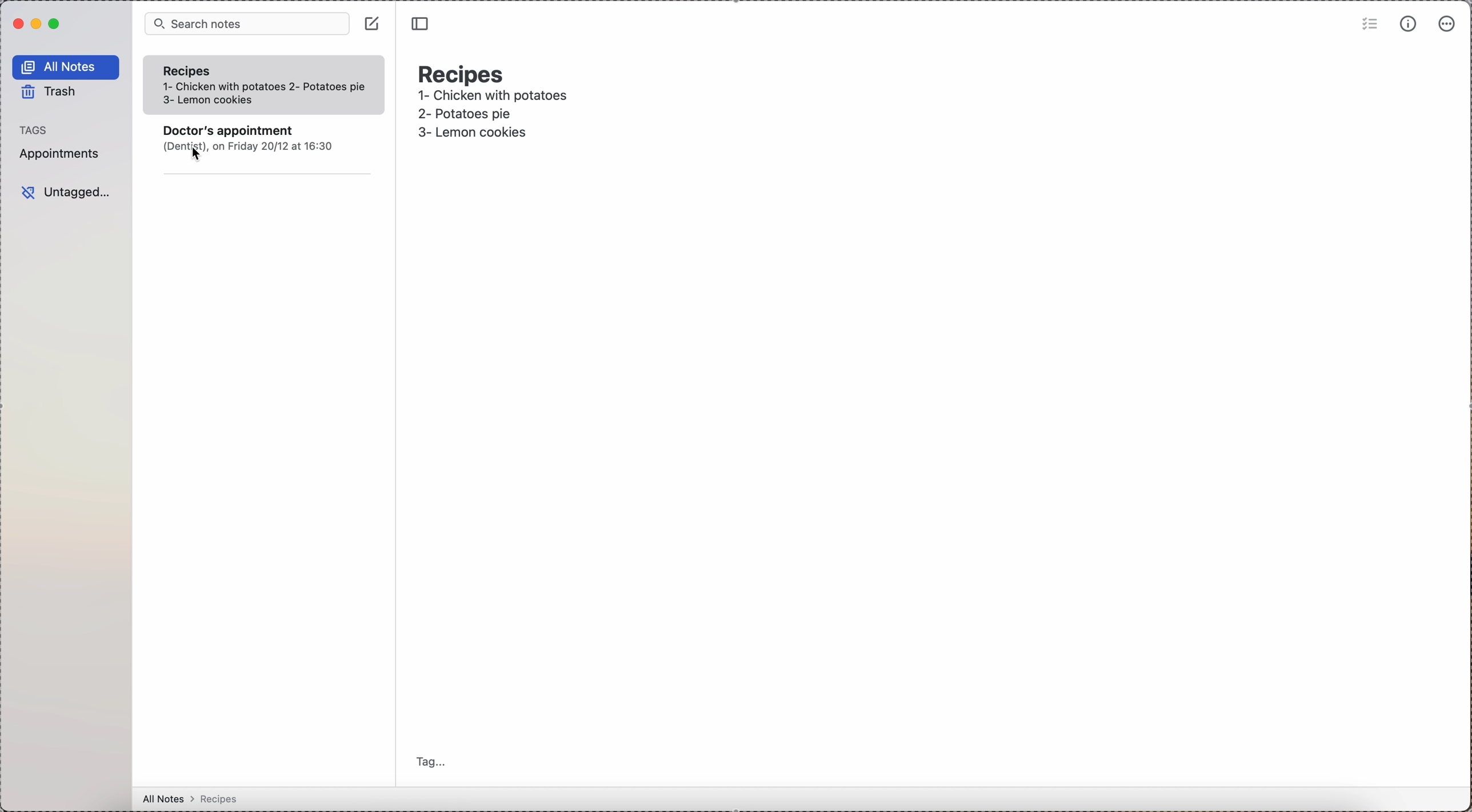 This screenshot has height=812, width=1472. Describe the element at coordinates (195, 70) in the screenshot. I see `recipes note` at that location.